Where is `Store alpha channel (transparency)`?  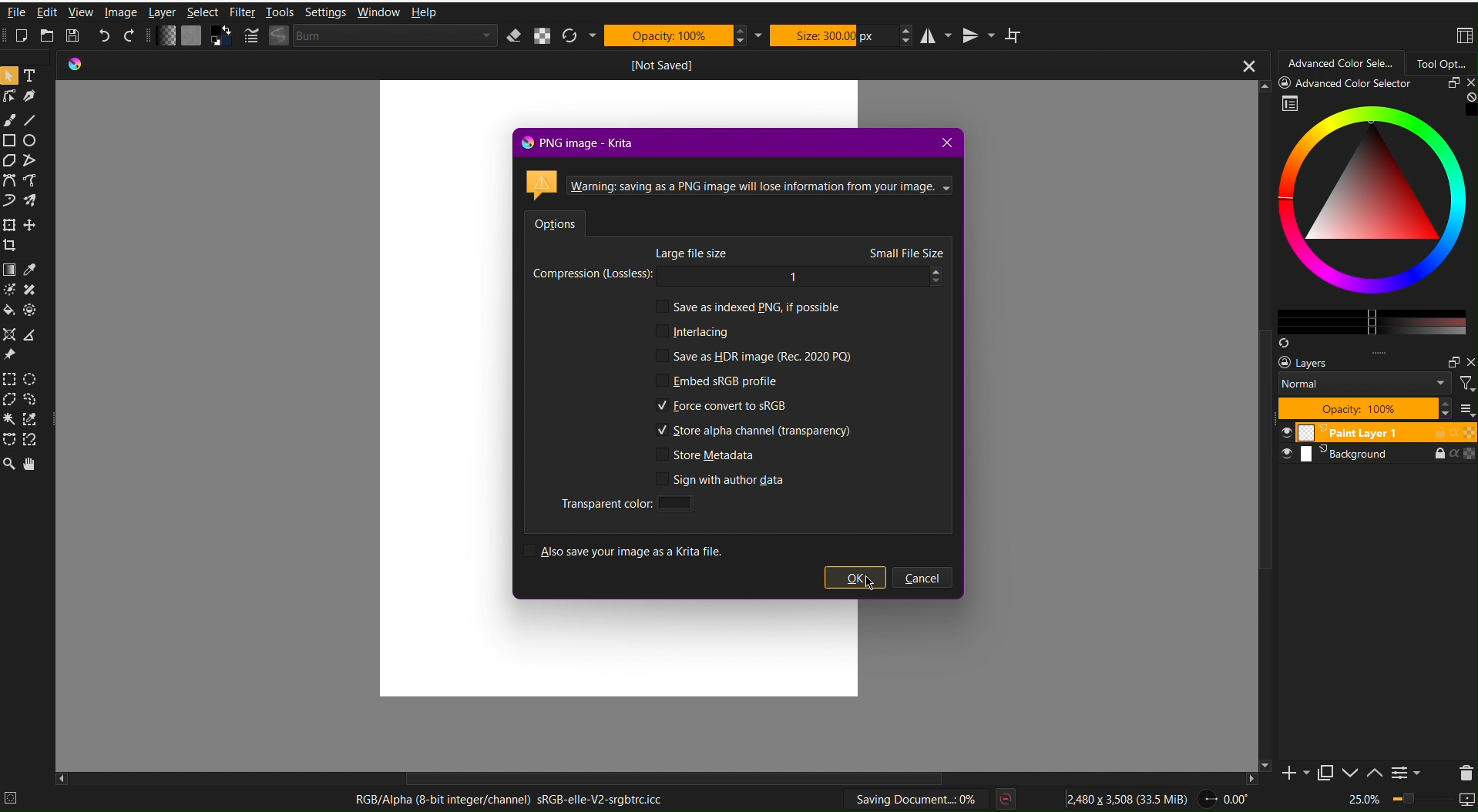 Store alpha channel (transparency) is located at coordinates (756, 431).